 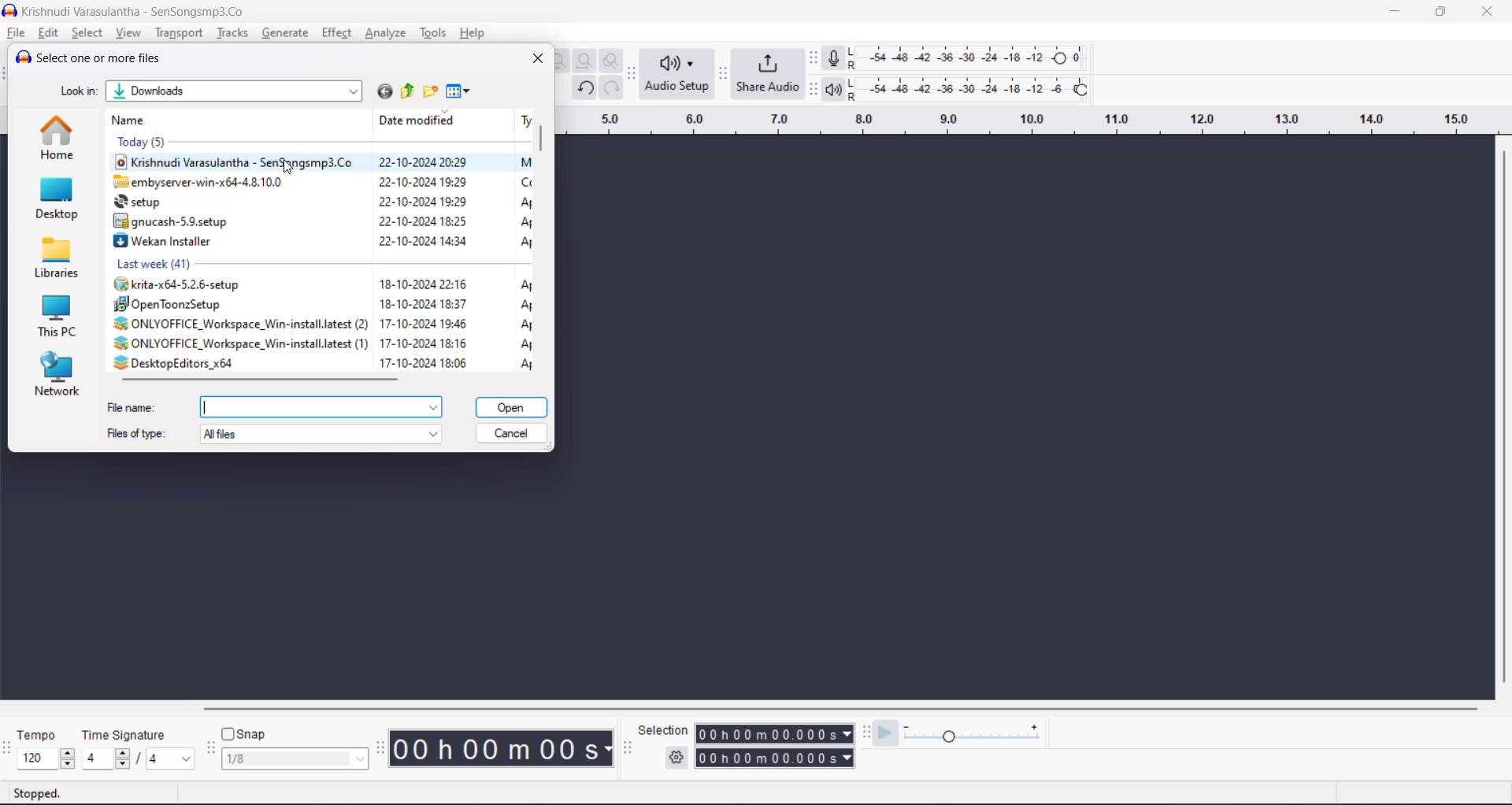 What do you see at coordinates (435, 33) in the screenshot?
I see `tools` at bounding box center [435, 33].